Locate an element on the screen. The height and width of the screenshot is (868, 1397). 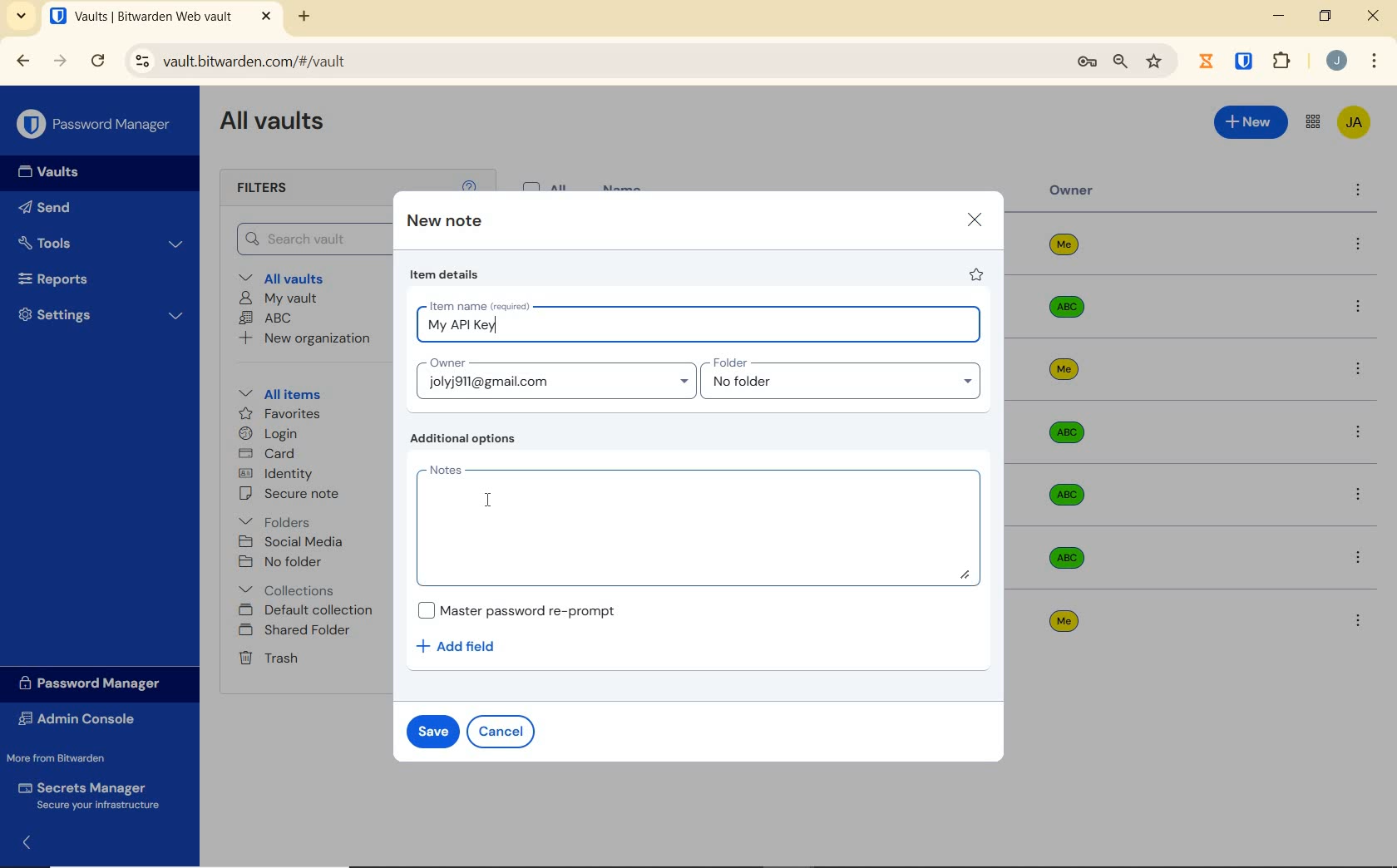
customize Google chrome is located at coordinates (1374, 62).